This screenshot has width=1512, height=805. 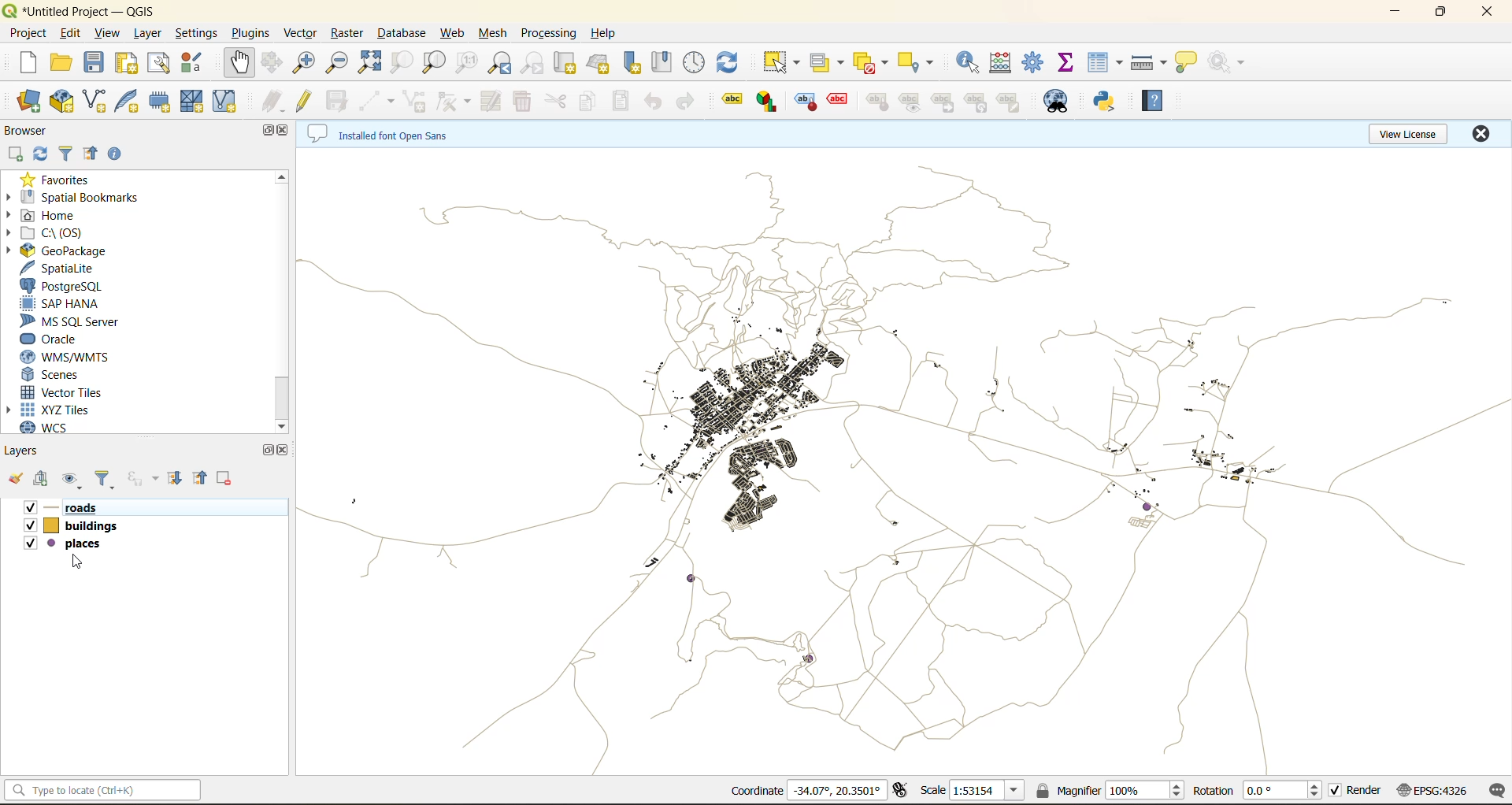 I want to click on statistical summary, so click(x=1069, y=65).